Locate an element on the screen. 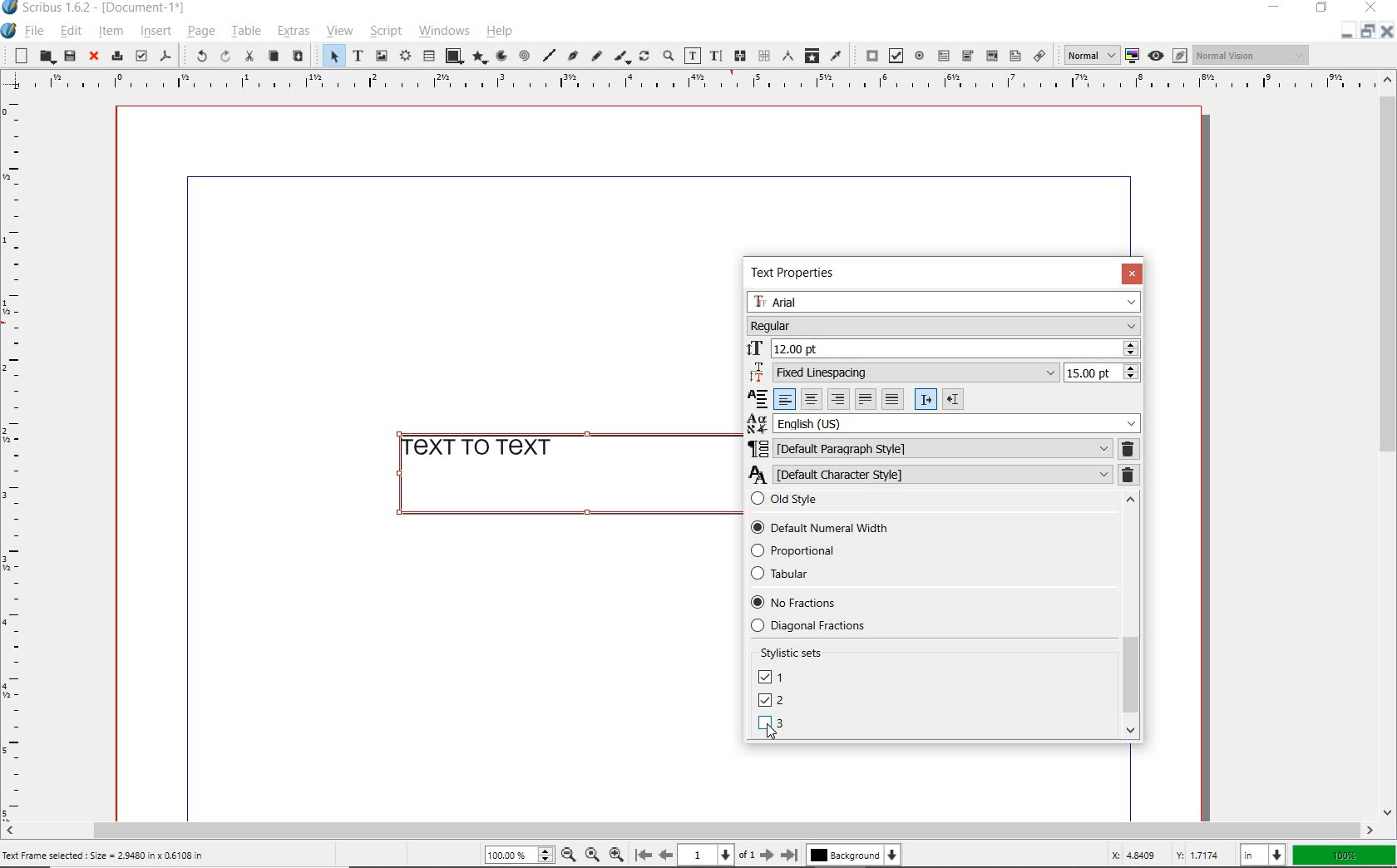 This screenshot has height=868, width=1397. No Fractions is located at coordinates (793, 602).